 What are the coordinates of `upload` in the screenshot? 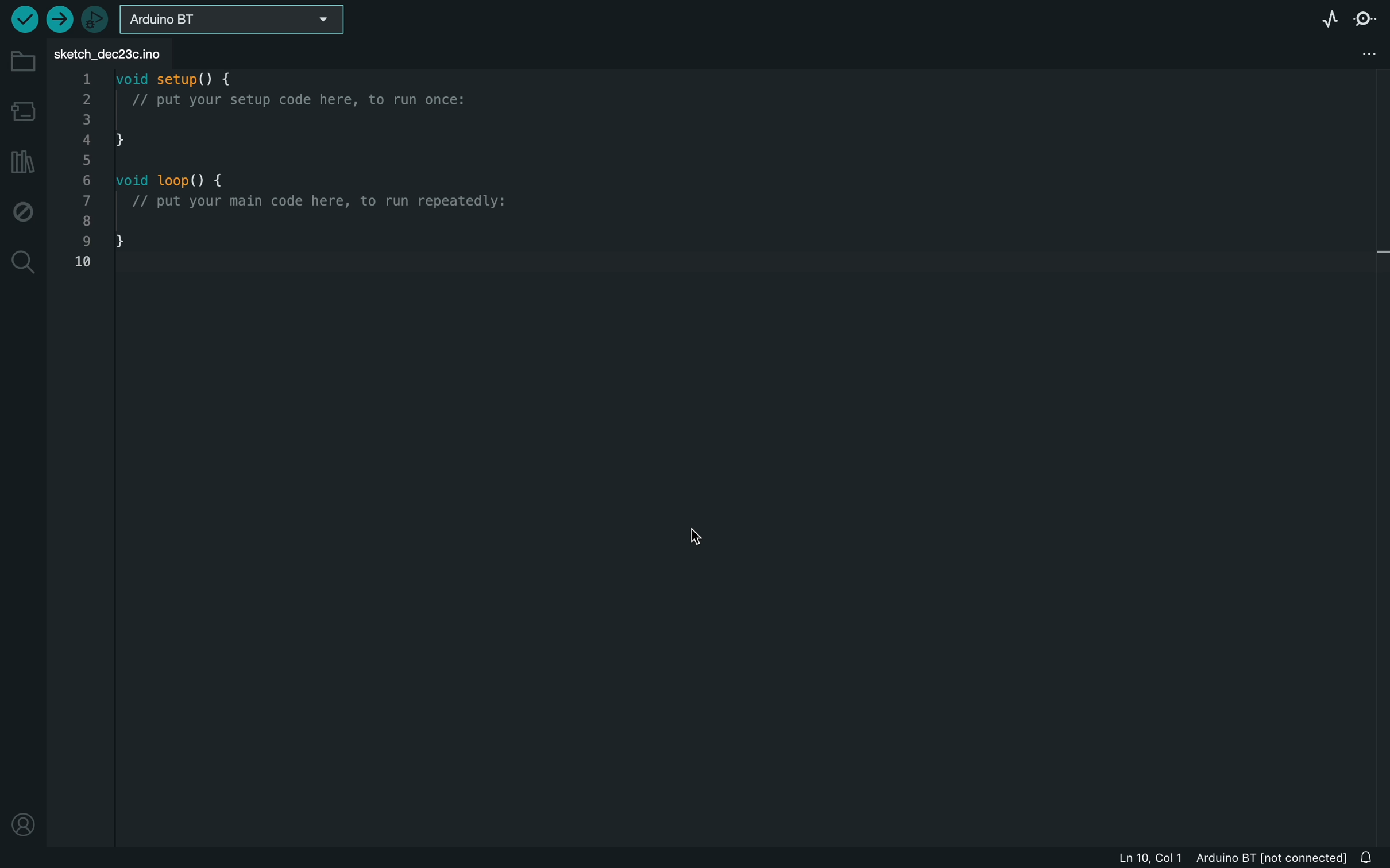 It's located at (59, 20).